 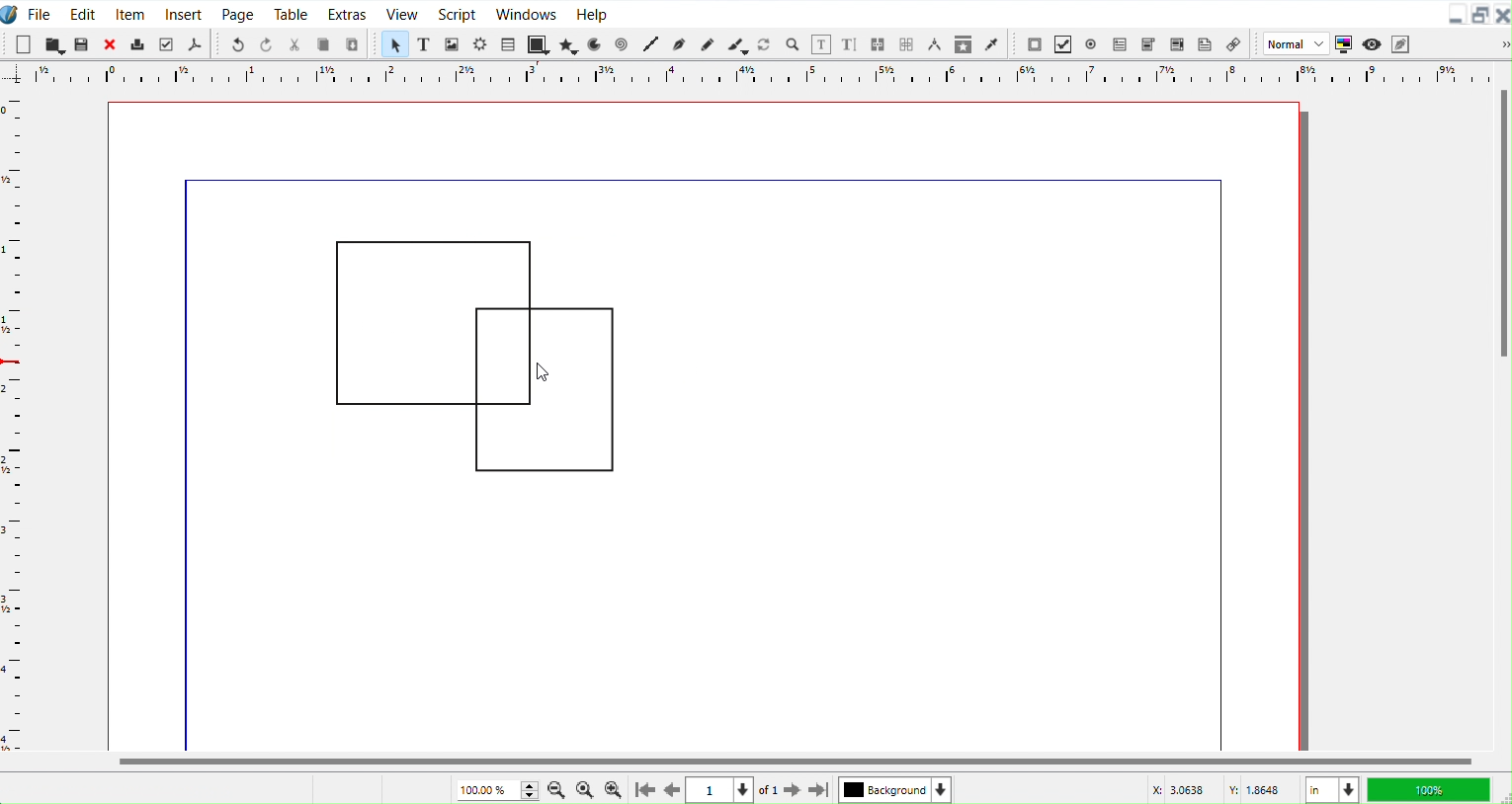 I want to click on Arc, so click(x=597, y=43).